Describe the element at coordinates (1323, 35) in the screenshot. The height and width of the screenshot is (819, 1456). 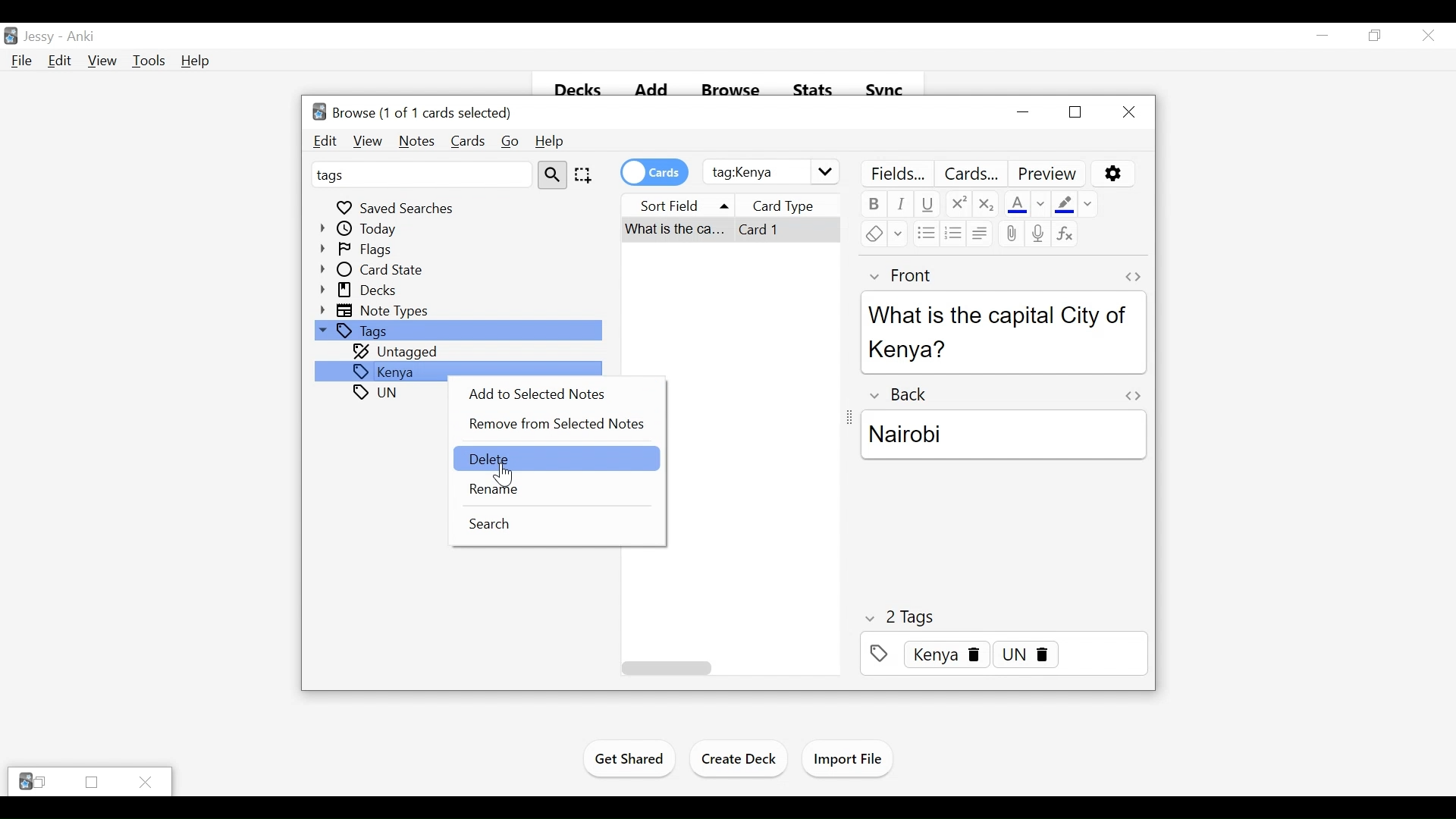
I see `minimize` at that location.